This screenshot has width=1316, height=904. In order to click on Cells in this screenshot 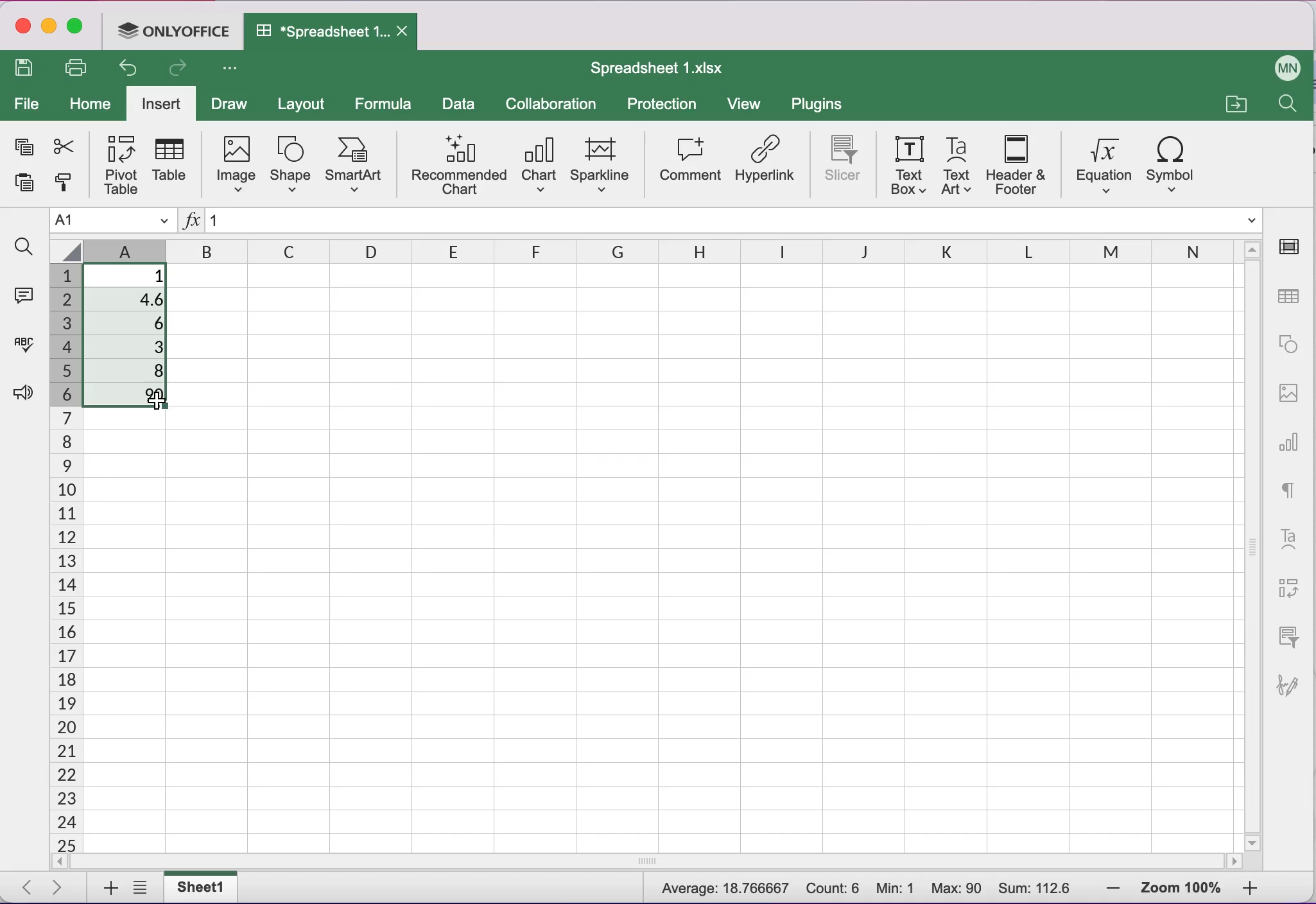, I will do `click(713, 559)`.